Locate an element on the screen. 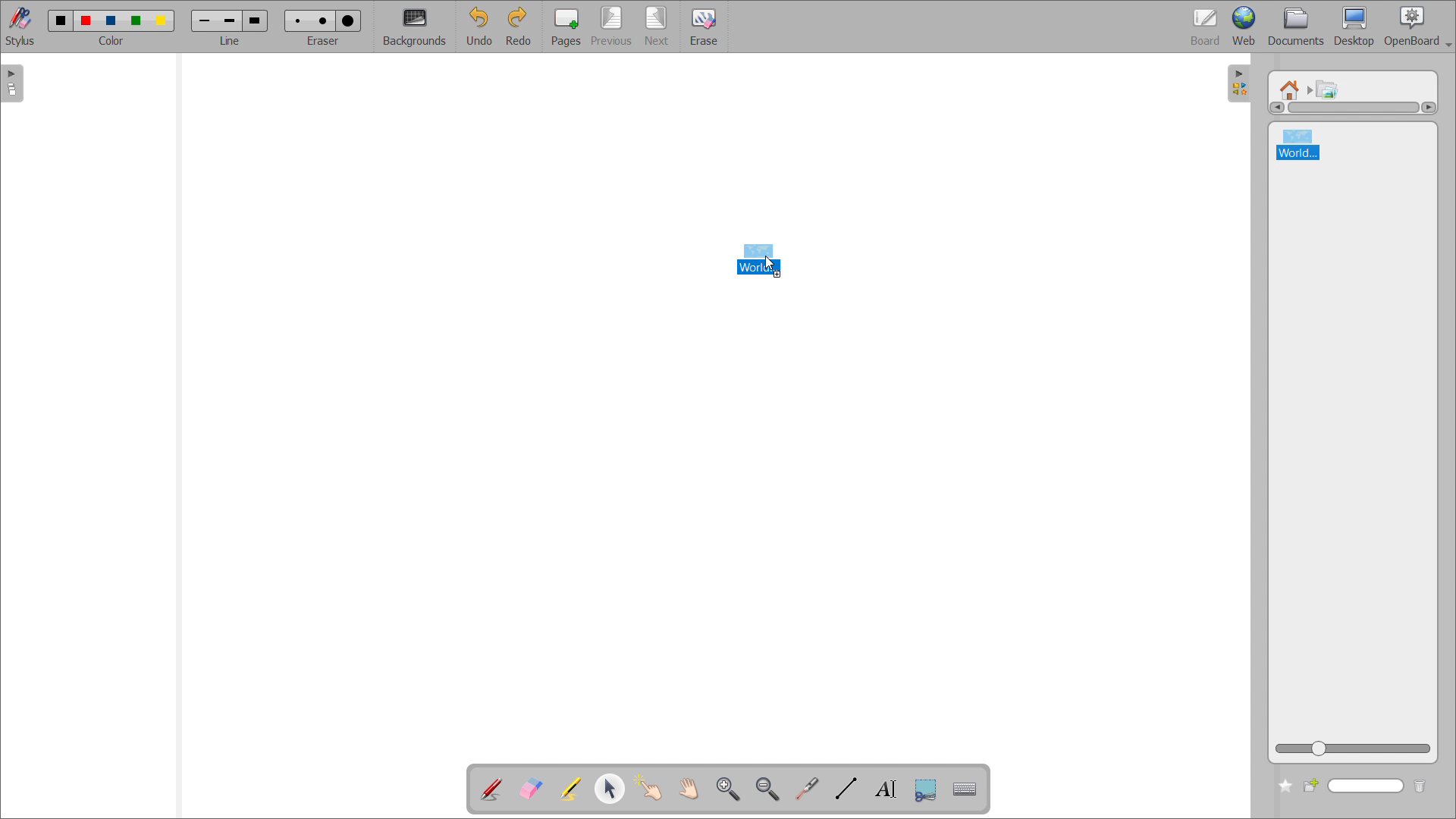 This screenshot has height=819, width=1456. backgrounds is located at coordinates (416, 26).